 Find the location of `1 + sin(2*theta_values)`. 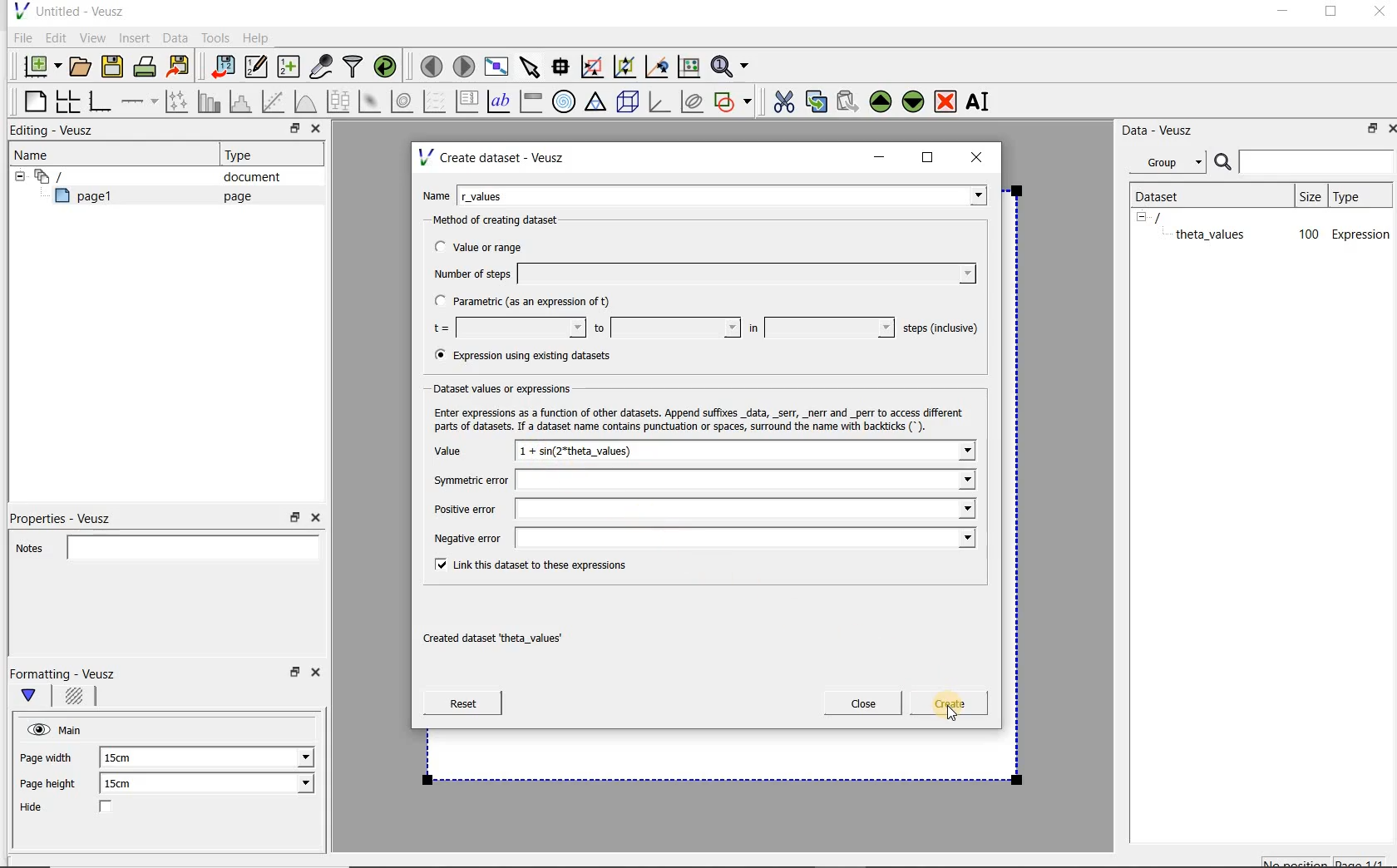

1 + sin(2*theta_values) is located at coordinates (747, 453).